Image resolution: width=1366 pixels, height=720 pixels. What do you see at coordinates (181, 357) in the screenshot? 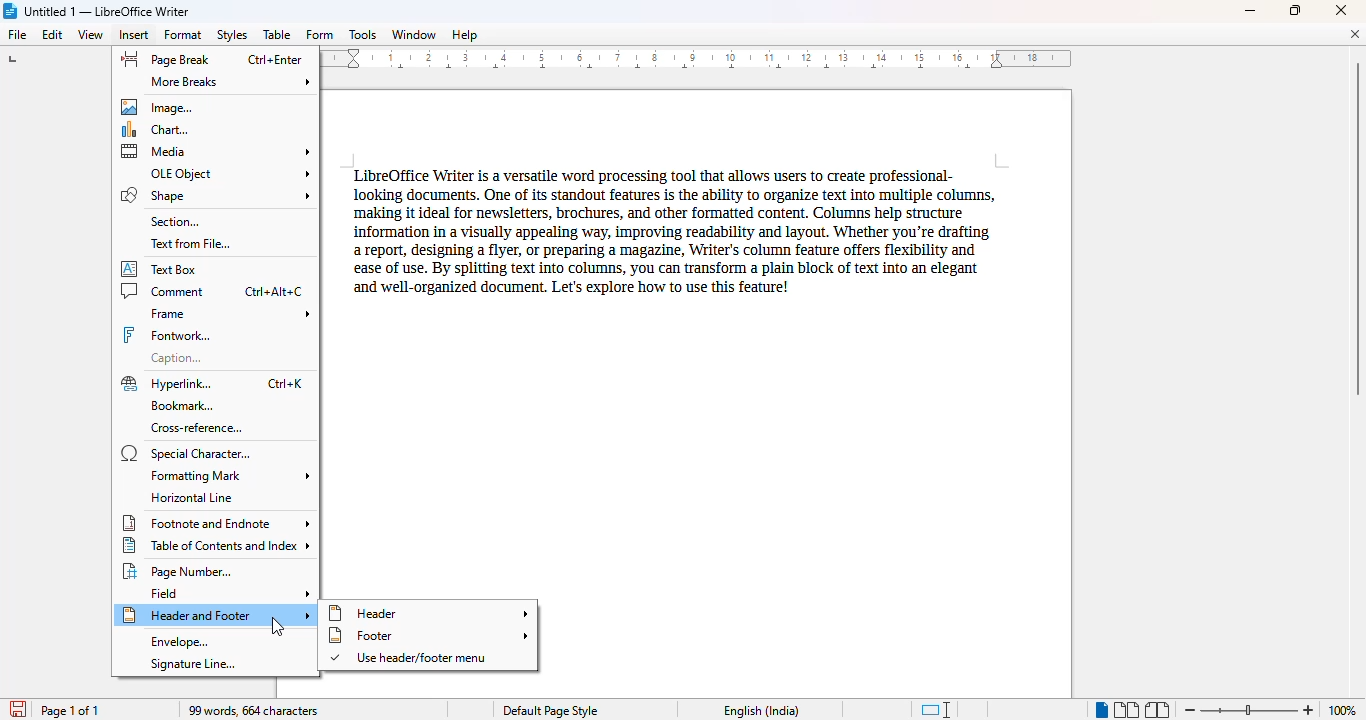
I see `caption` at bounding box center [181, 357].